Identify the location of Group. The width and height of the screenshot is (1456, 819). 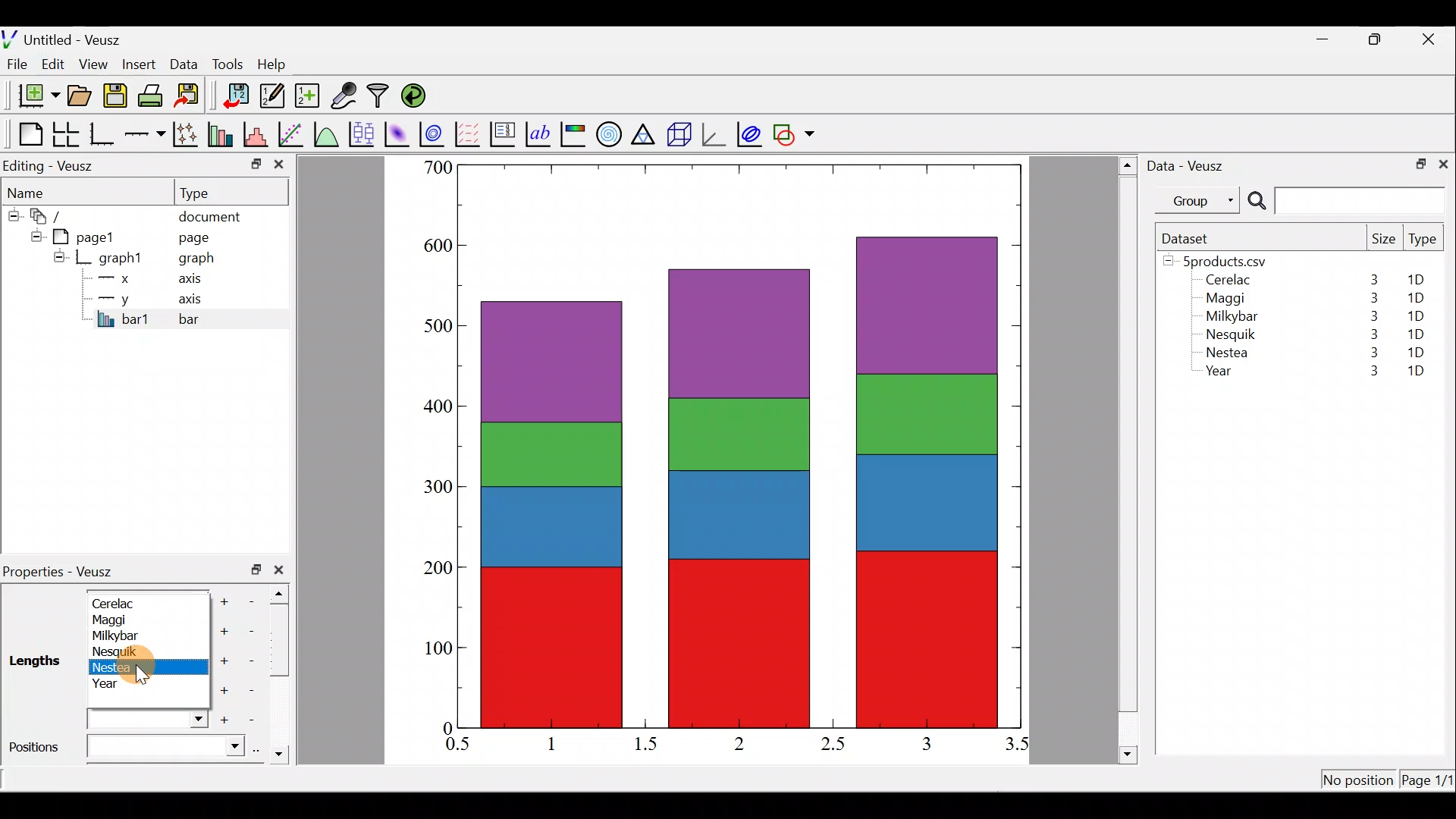
(1200, 199).